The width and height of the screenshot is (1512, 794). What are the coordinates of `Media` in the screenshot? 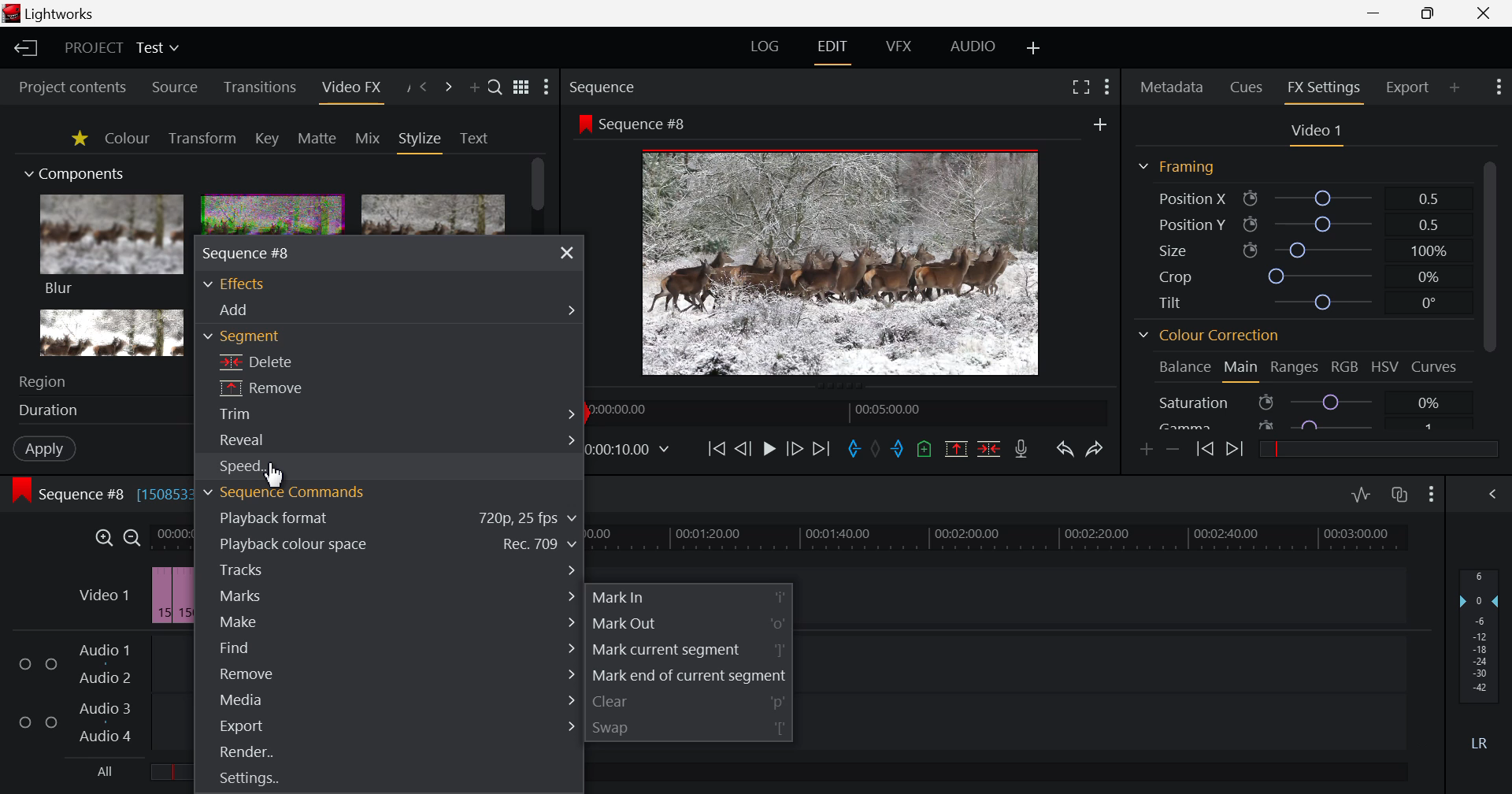 It's located at (388, 698).